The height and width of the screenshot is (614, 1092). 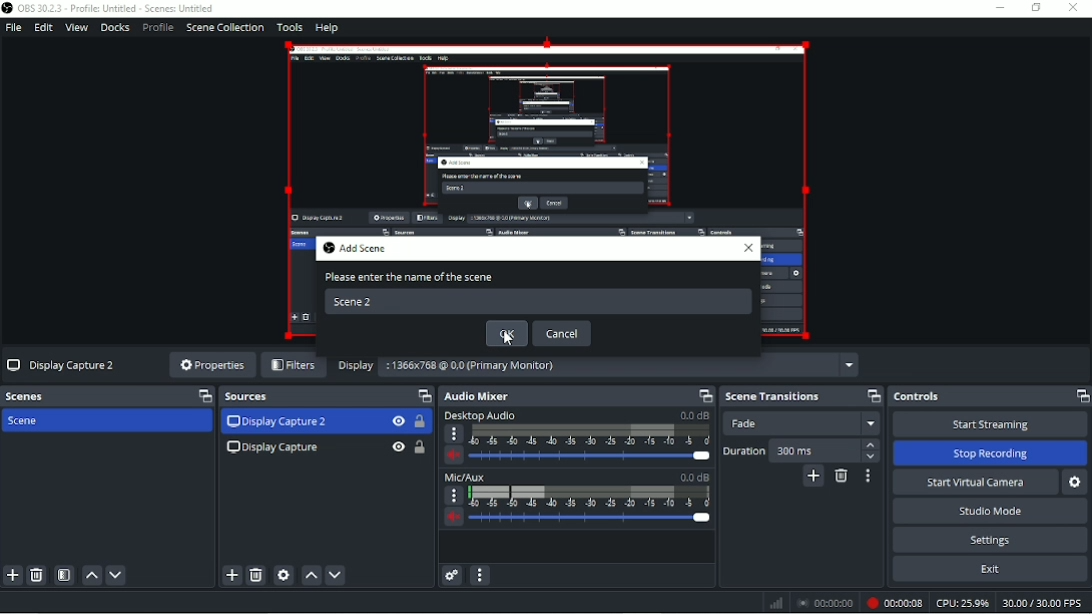 What do you see at coordinates (410, 276) in the screenshot?
I see `Please enter the name of the scene` at bounding box center [410, 276].